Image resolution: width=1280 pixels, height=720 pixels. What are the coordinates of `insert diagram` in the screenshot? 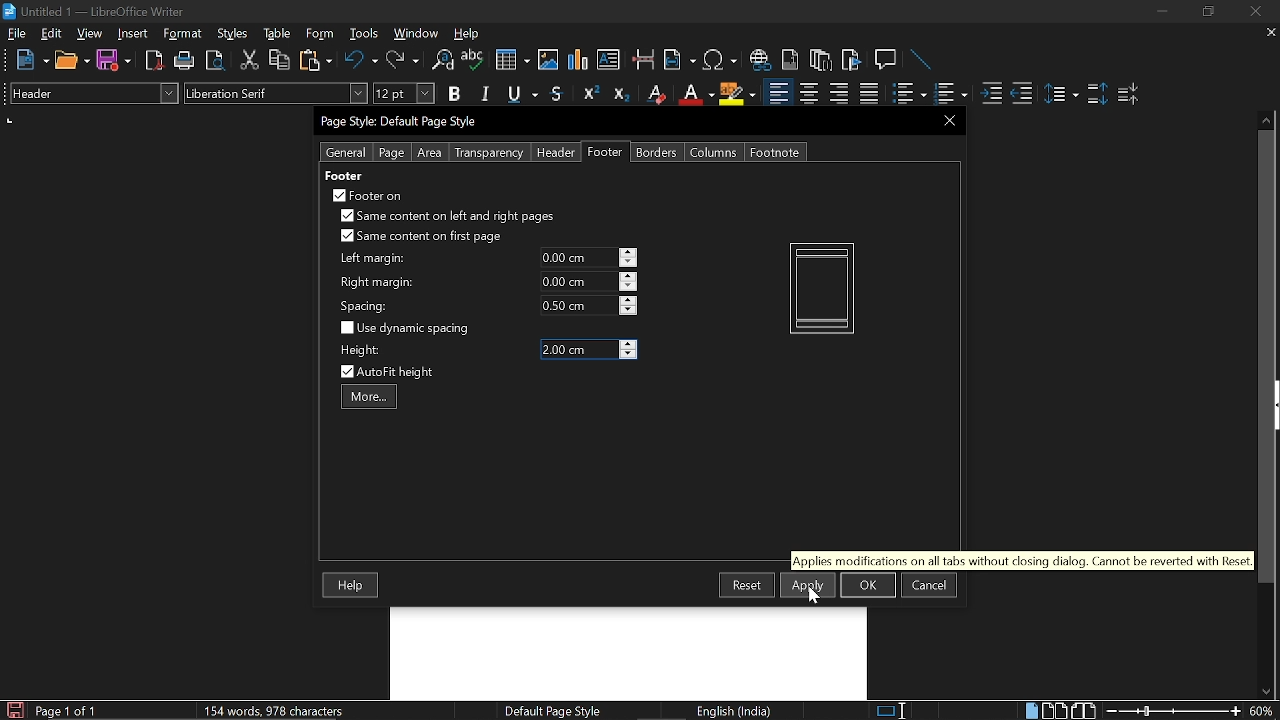 It's located at (578, 60).